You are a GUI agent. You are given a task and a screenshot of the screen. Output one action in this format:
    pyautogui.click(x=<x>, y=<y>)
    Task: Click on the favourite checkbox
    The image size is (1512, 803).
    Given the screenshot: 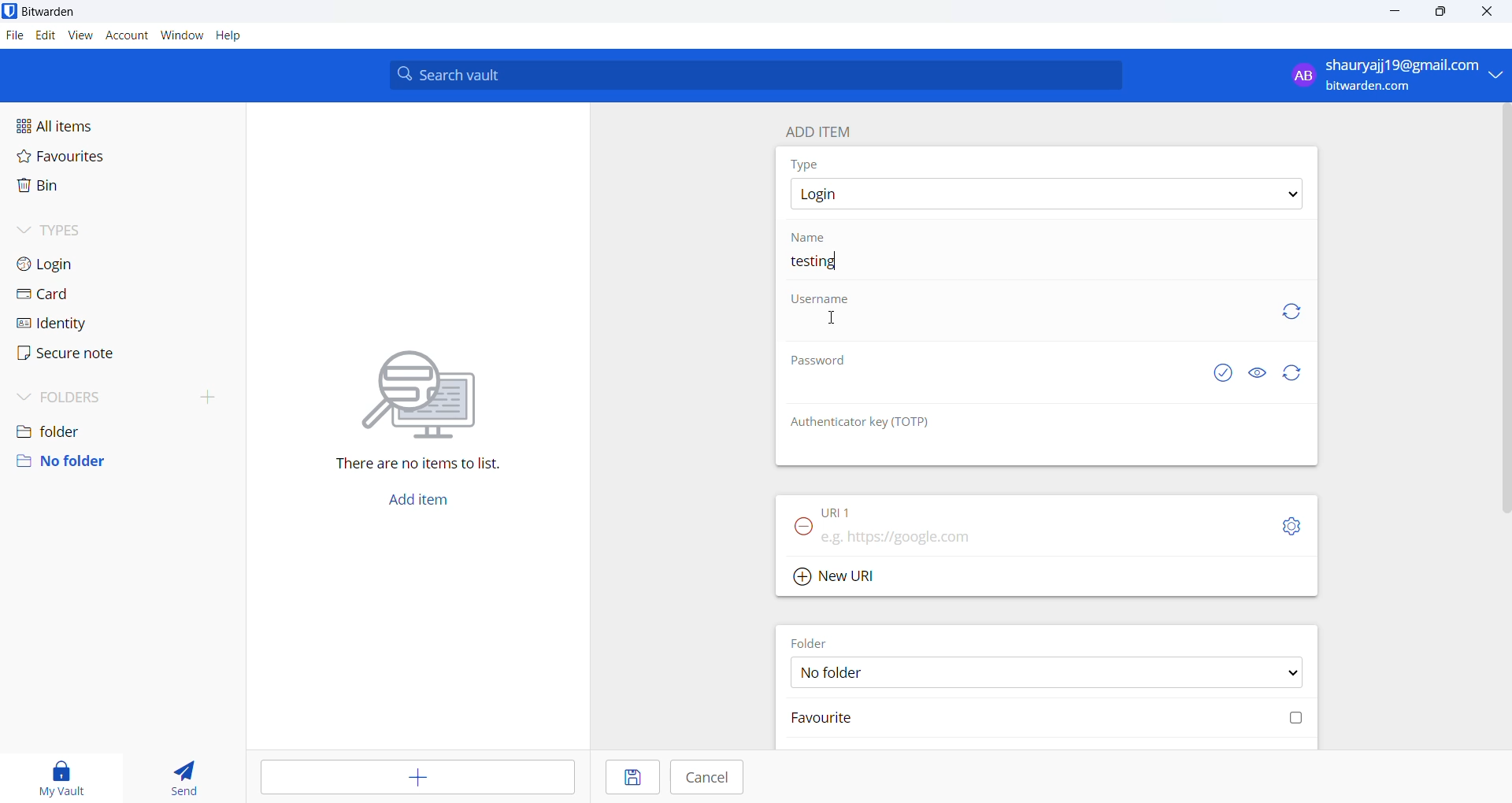 What is the action you would take?
    pyautogui.click(x=1050, y=718)
    